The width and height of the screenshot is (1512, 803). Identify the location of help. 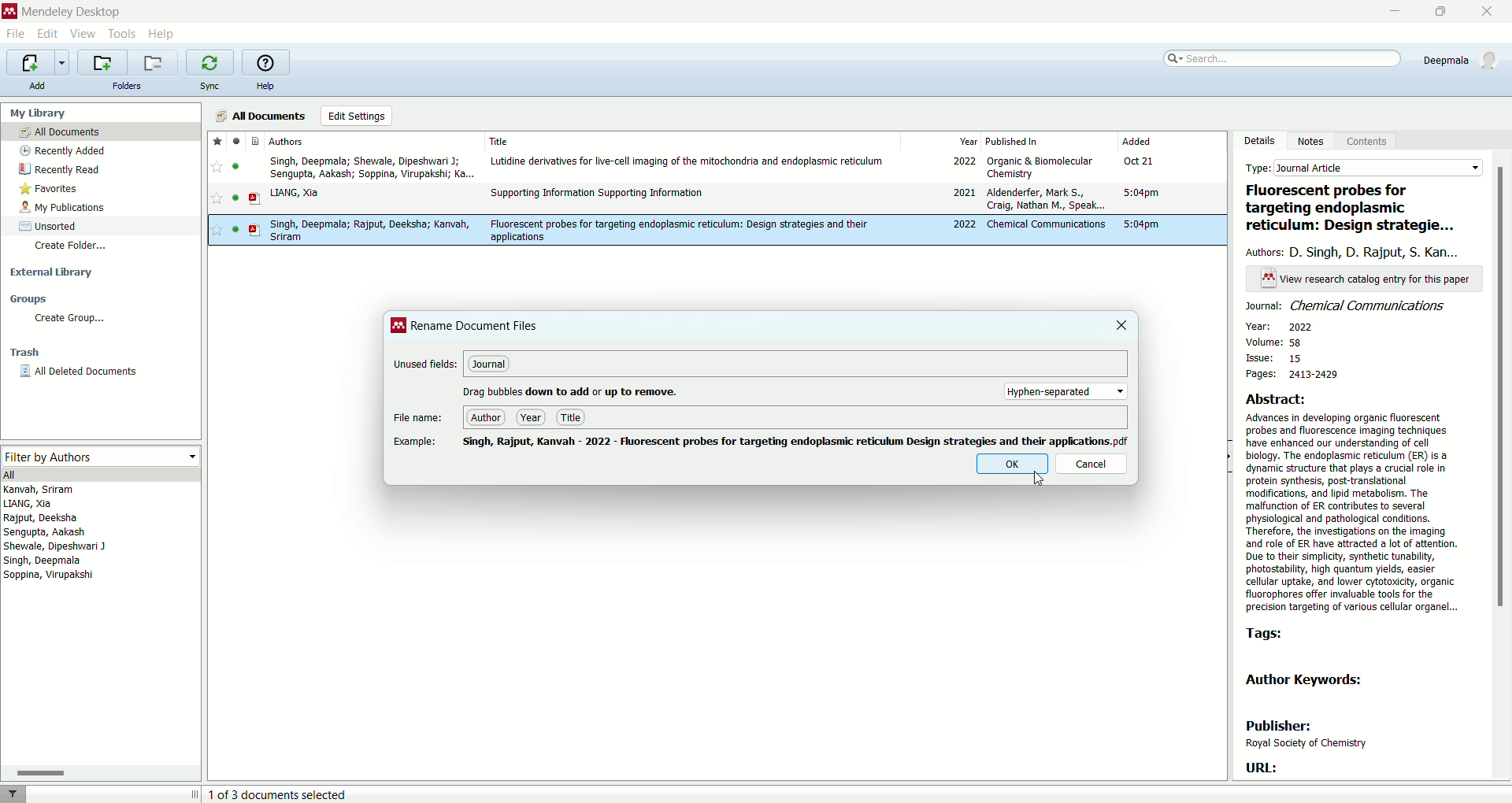
(161, 34).